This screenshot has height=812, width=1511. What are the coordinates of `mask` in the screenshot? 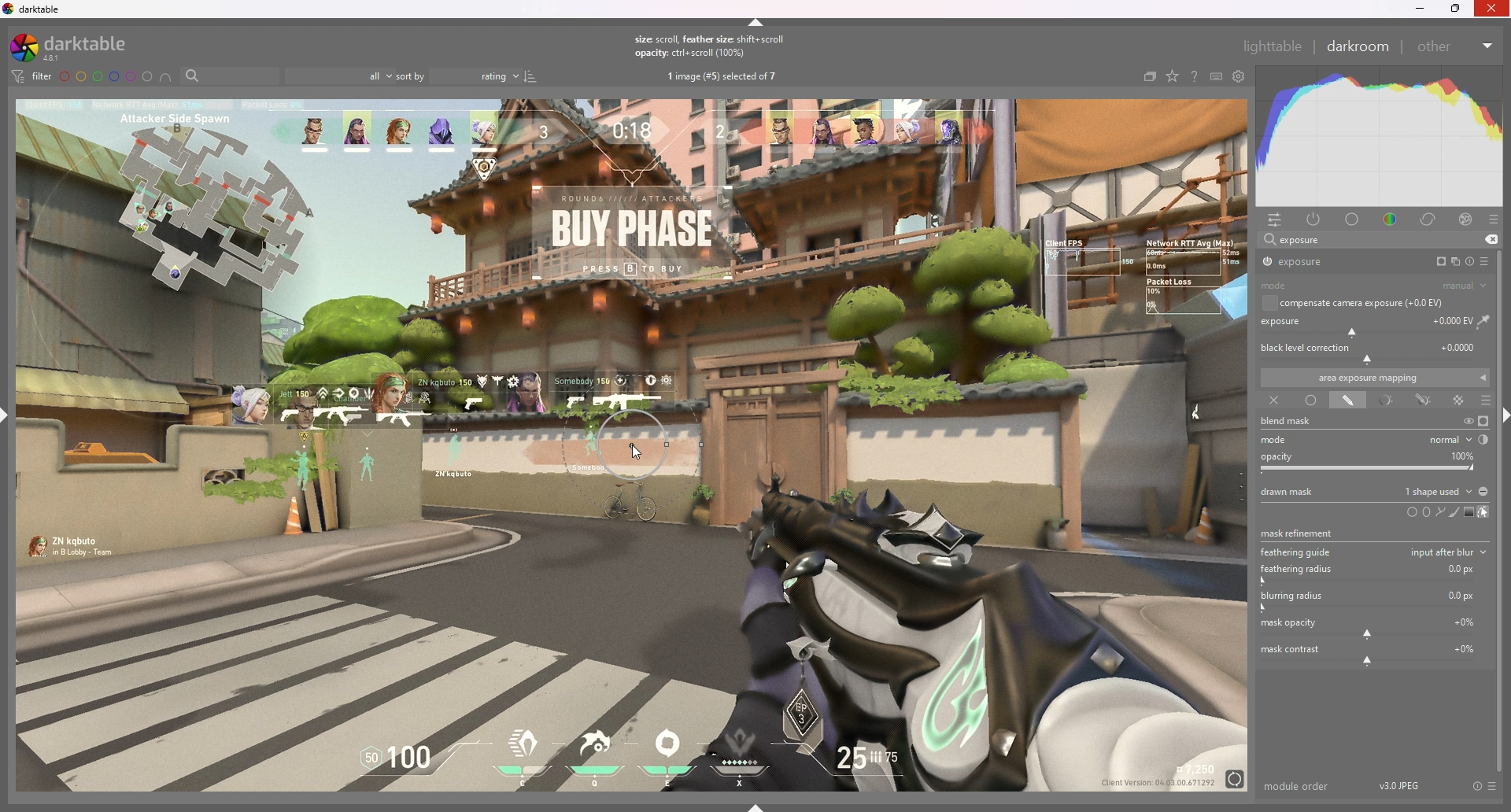 It's located at (628, 443).